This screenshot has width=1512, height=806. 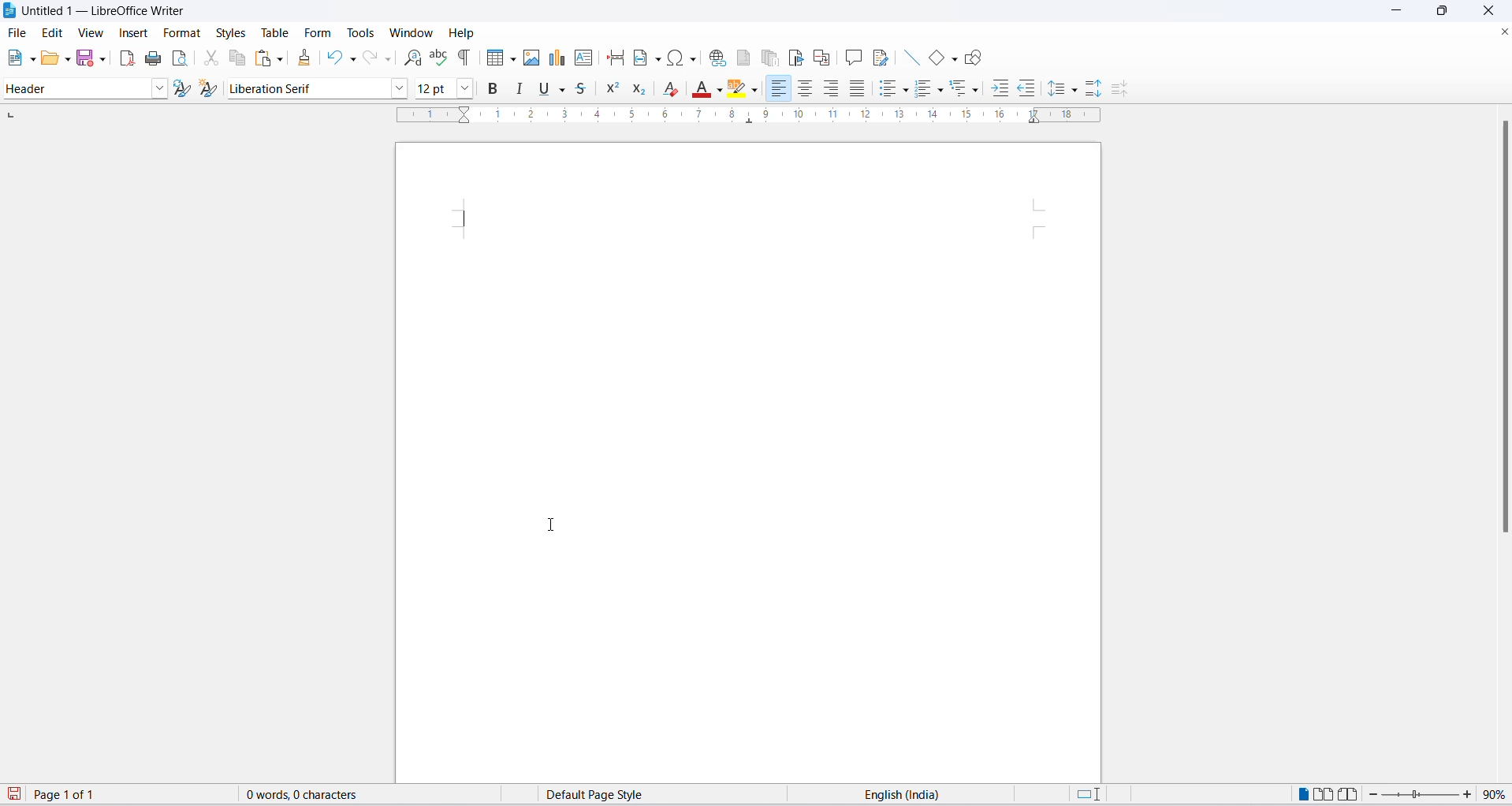 I want to click on save options, so click(x=102, y=59).